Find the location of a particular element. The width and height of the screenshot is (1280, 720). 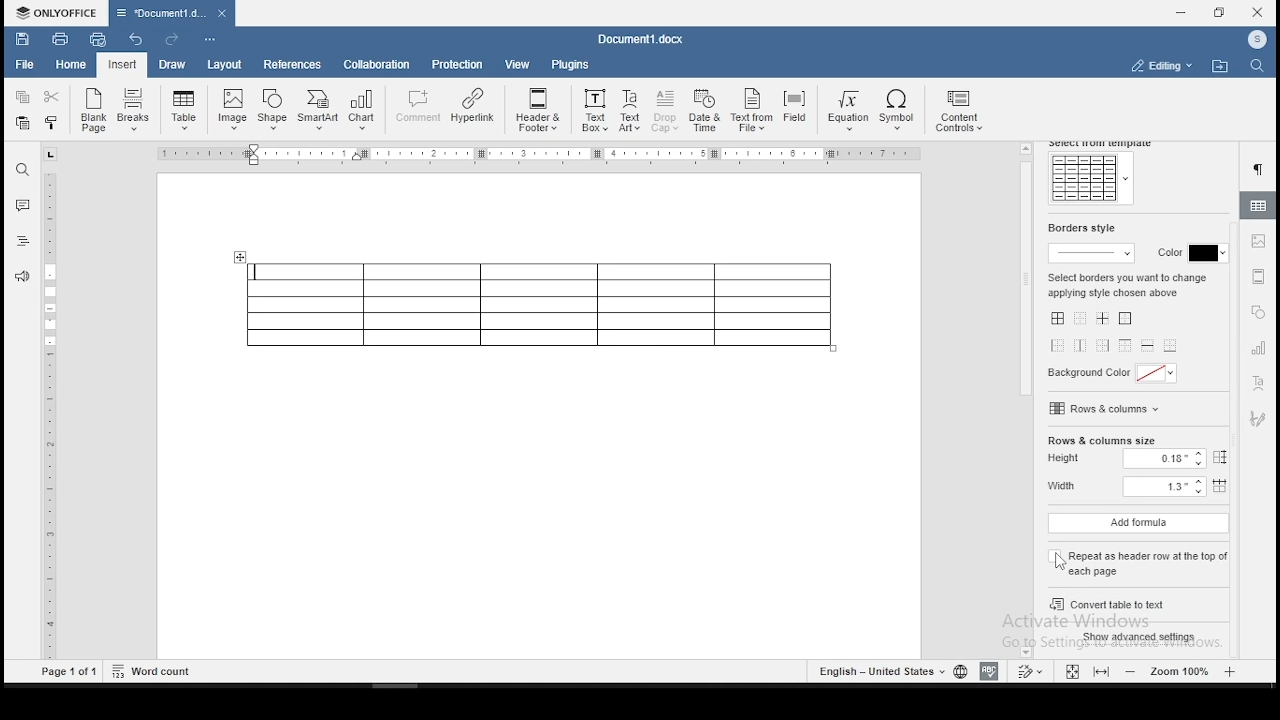

add formula is located at coordinates (1138, 524).